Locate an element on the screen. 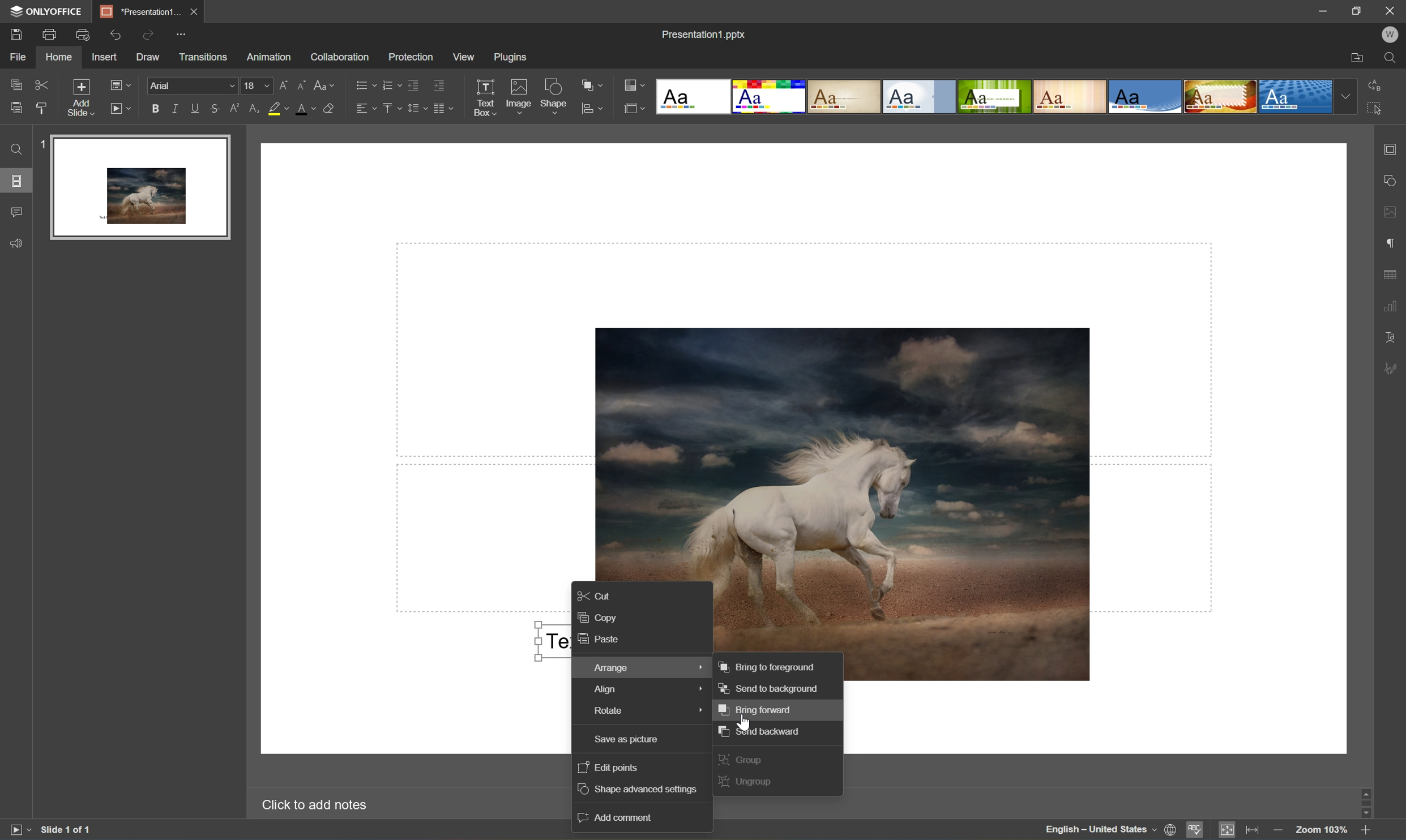 This screenshot has width=1406, height=840. Vertical align is located at coordinates (391, 108).